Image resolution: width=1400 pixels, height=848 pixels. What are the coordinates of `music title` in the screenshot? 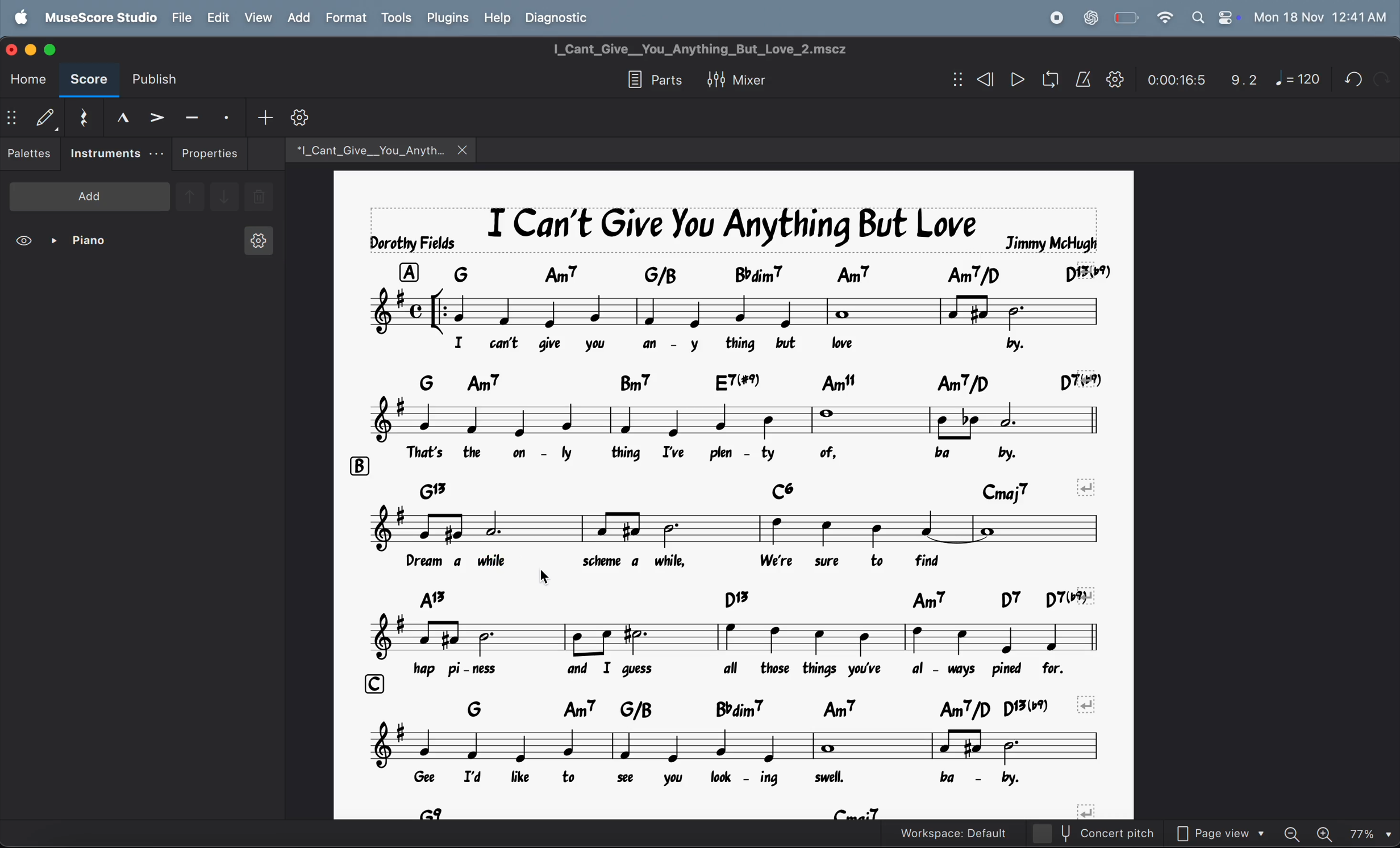 It's located at (732, 230).